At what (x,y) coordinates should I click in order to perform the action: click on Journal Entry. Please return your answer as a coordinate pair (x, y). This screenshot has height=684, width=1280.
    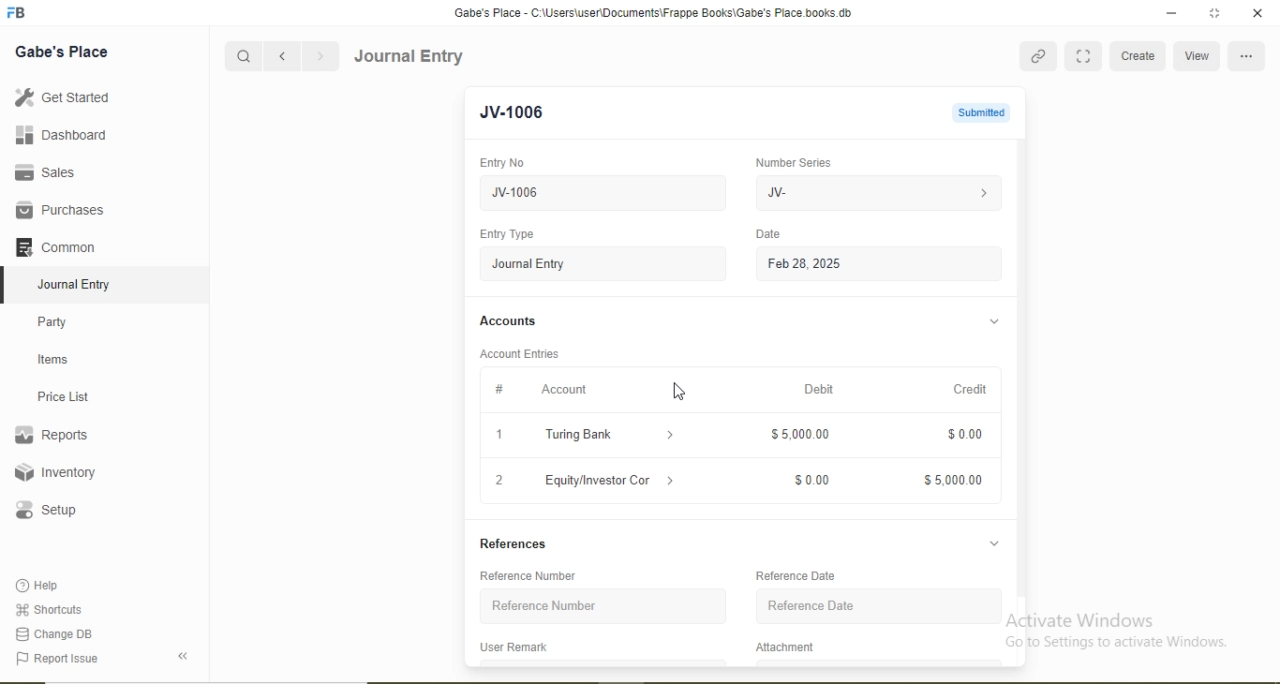
    Looking at the image, I should click on (76, 285).